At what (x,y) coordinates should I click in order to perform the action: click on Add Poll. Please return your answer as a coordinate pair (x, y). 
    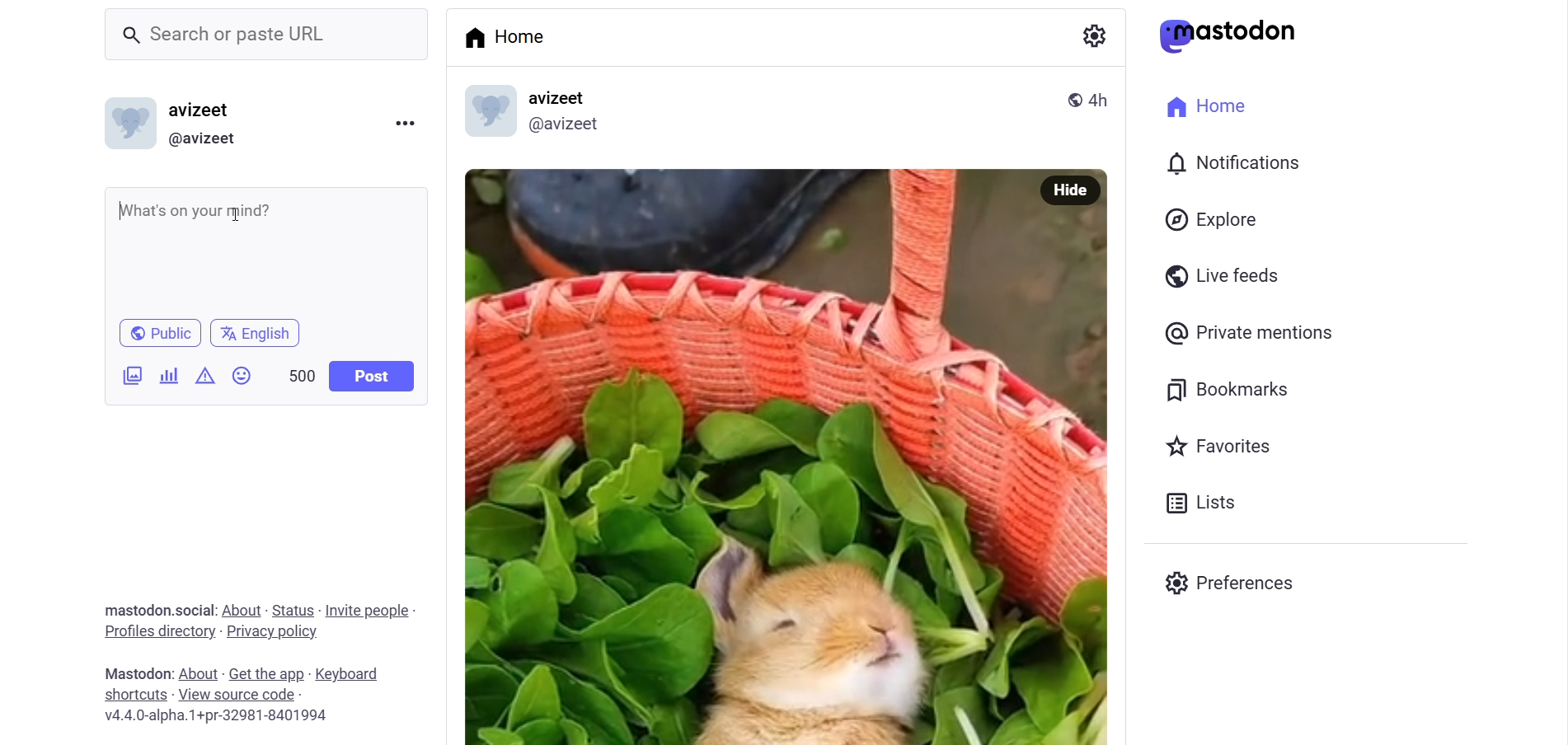
    Looking at the image, I should click on (168, 374).